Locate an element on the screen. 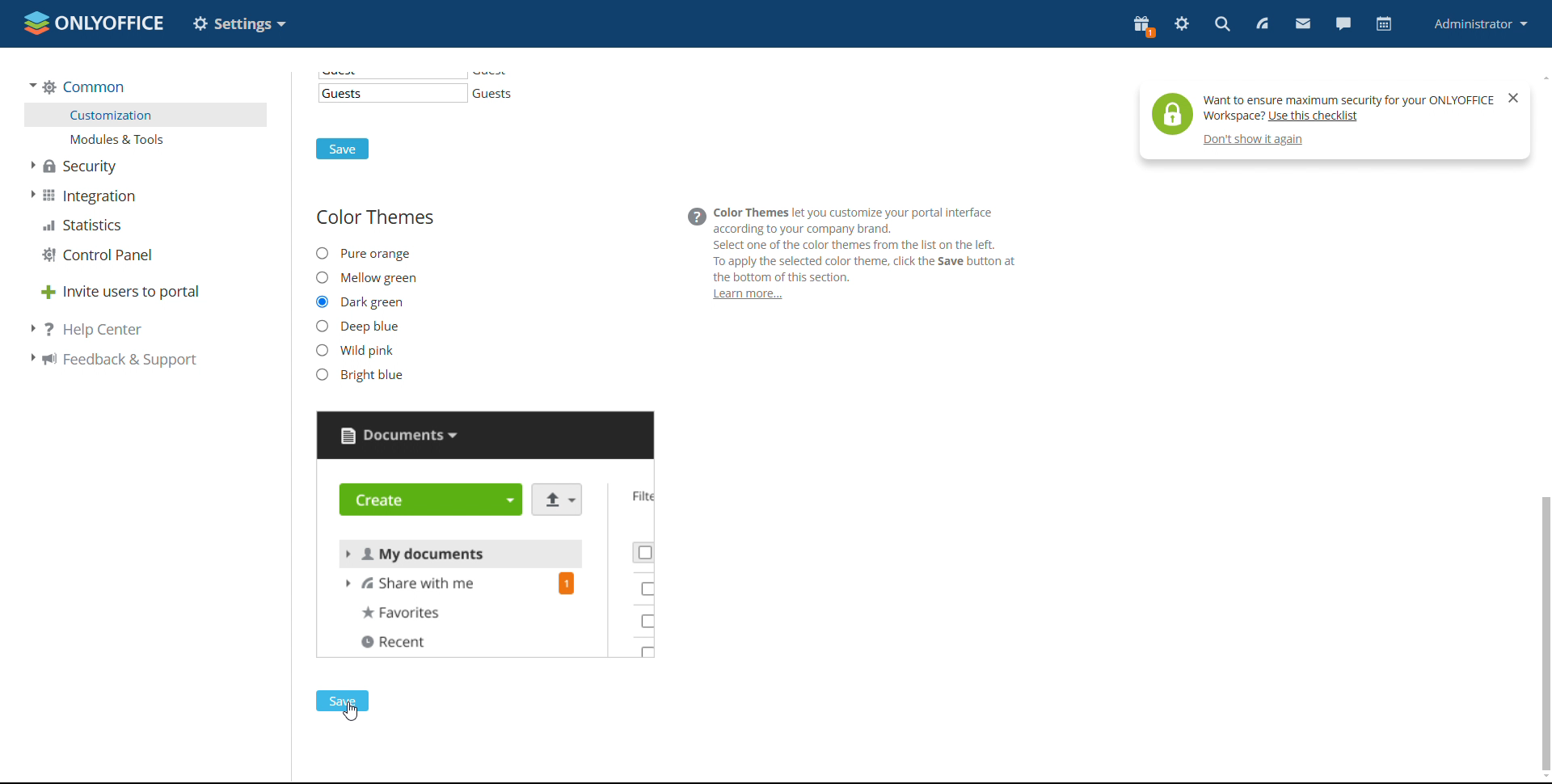 The width and height of the screenshot is (1552, 784). settings is located at coordinates (1181, 24).